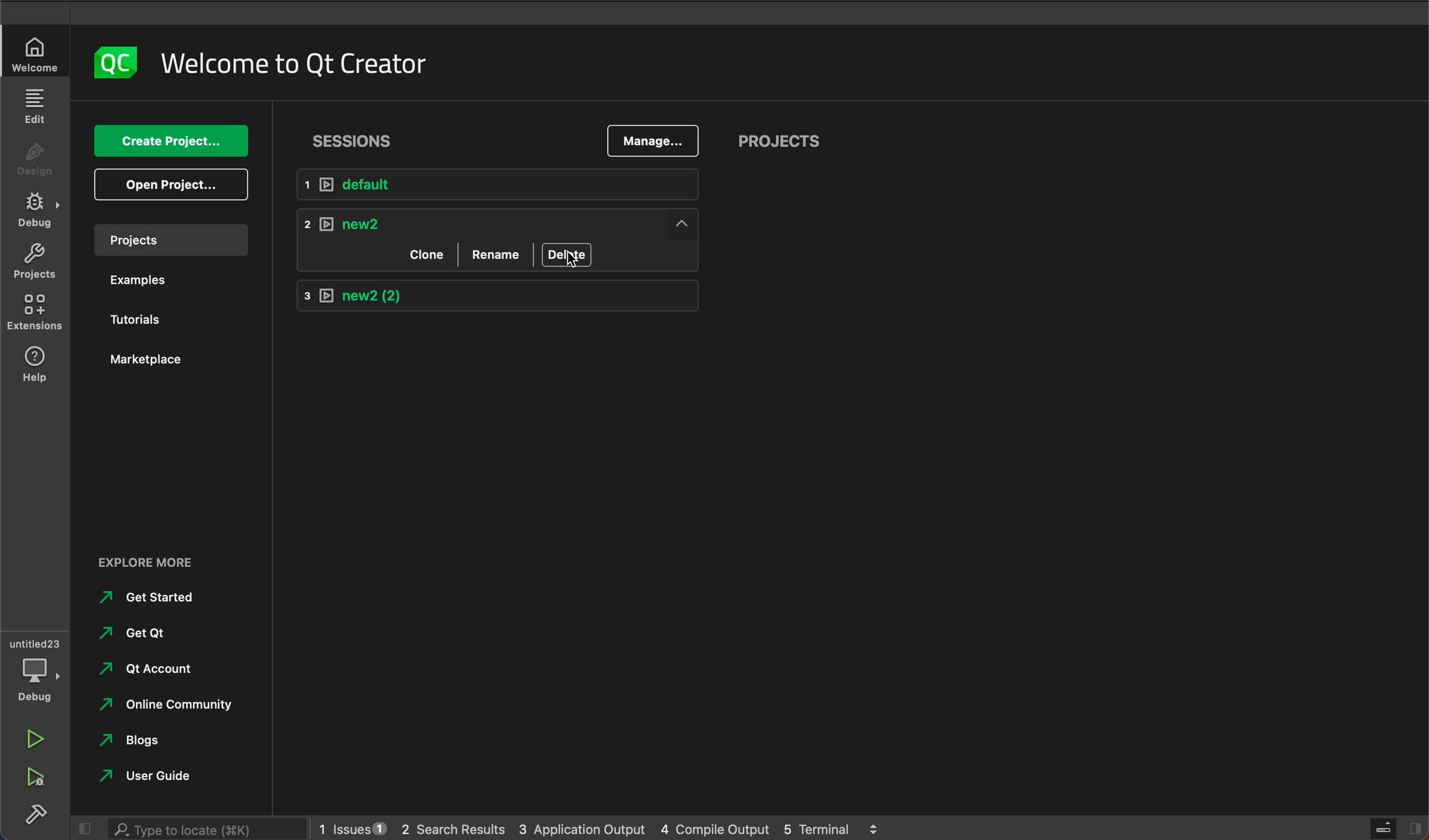 The height and width of the screenshot is (840, 1429). Describe the element at coordinates (154, 778) in the screenshot. I see `user guide` at that location.